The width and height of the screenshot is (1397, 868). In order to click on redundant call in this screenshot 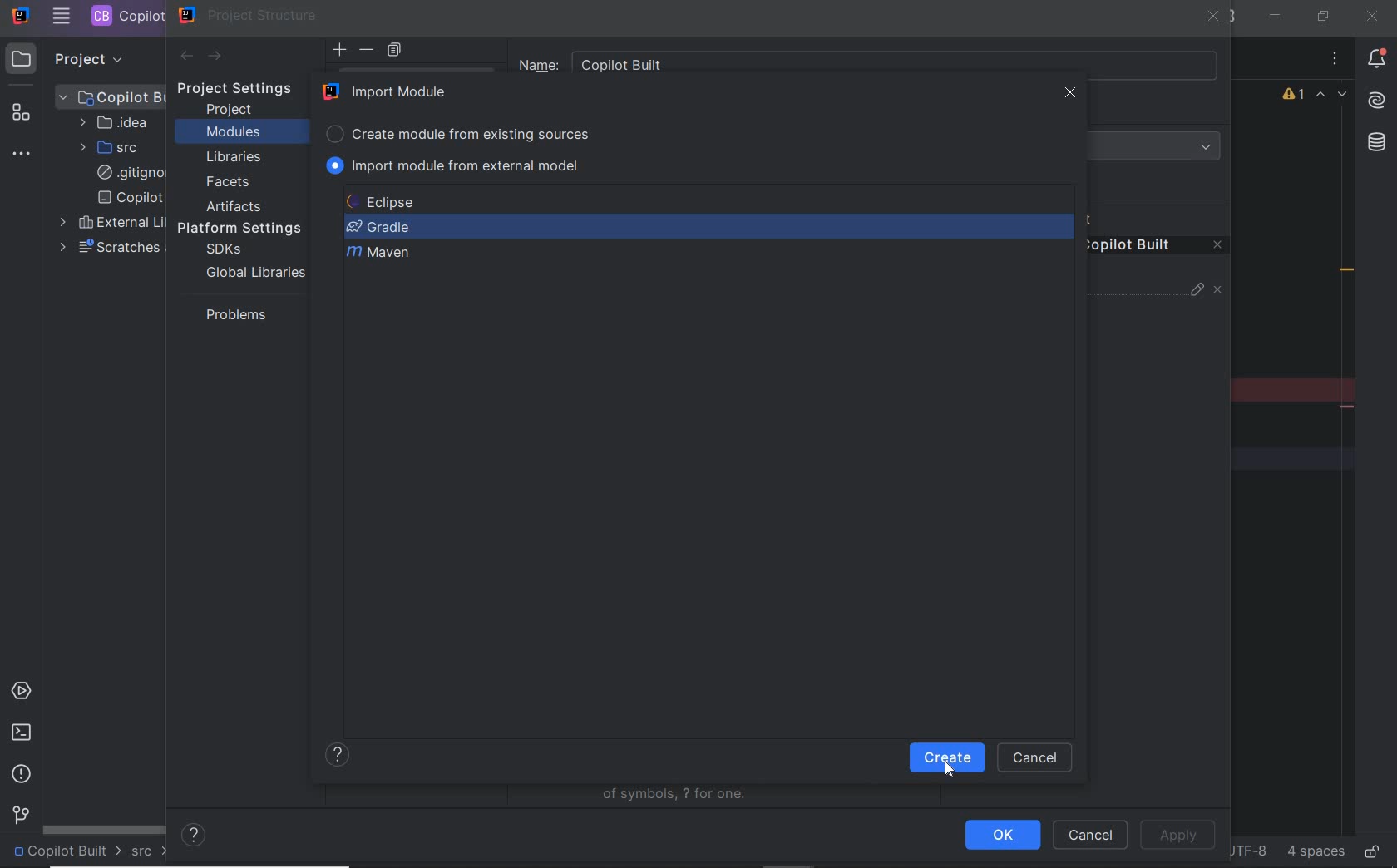, I will do `click(1347, 272)`.